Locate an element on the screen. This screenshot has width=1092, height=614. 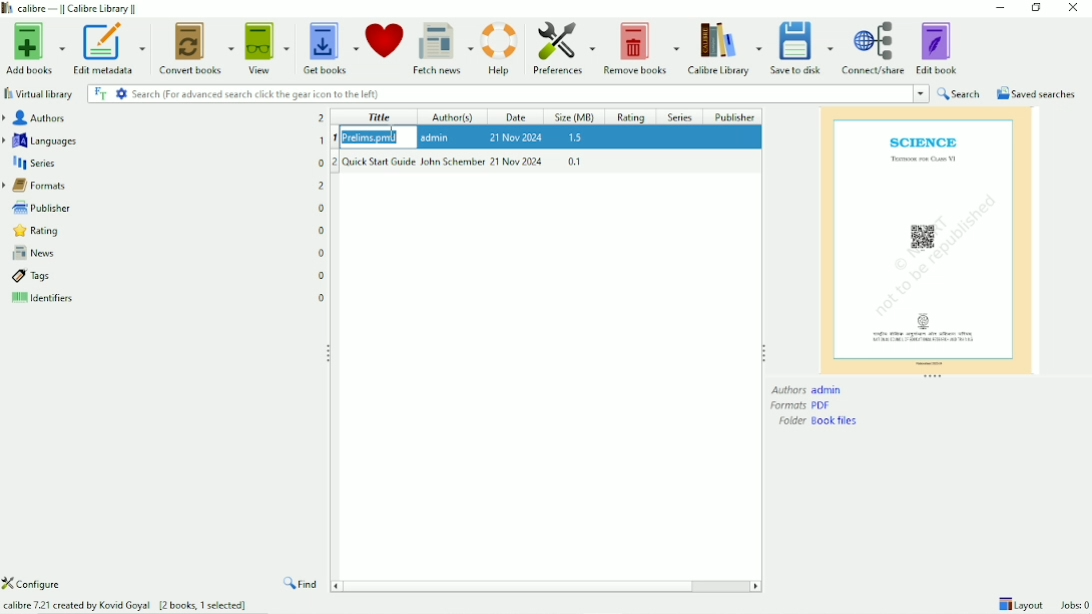
Formats is located at coordinates (38, 186).